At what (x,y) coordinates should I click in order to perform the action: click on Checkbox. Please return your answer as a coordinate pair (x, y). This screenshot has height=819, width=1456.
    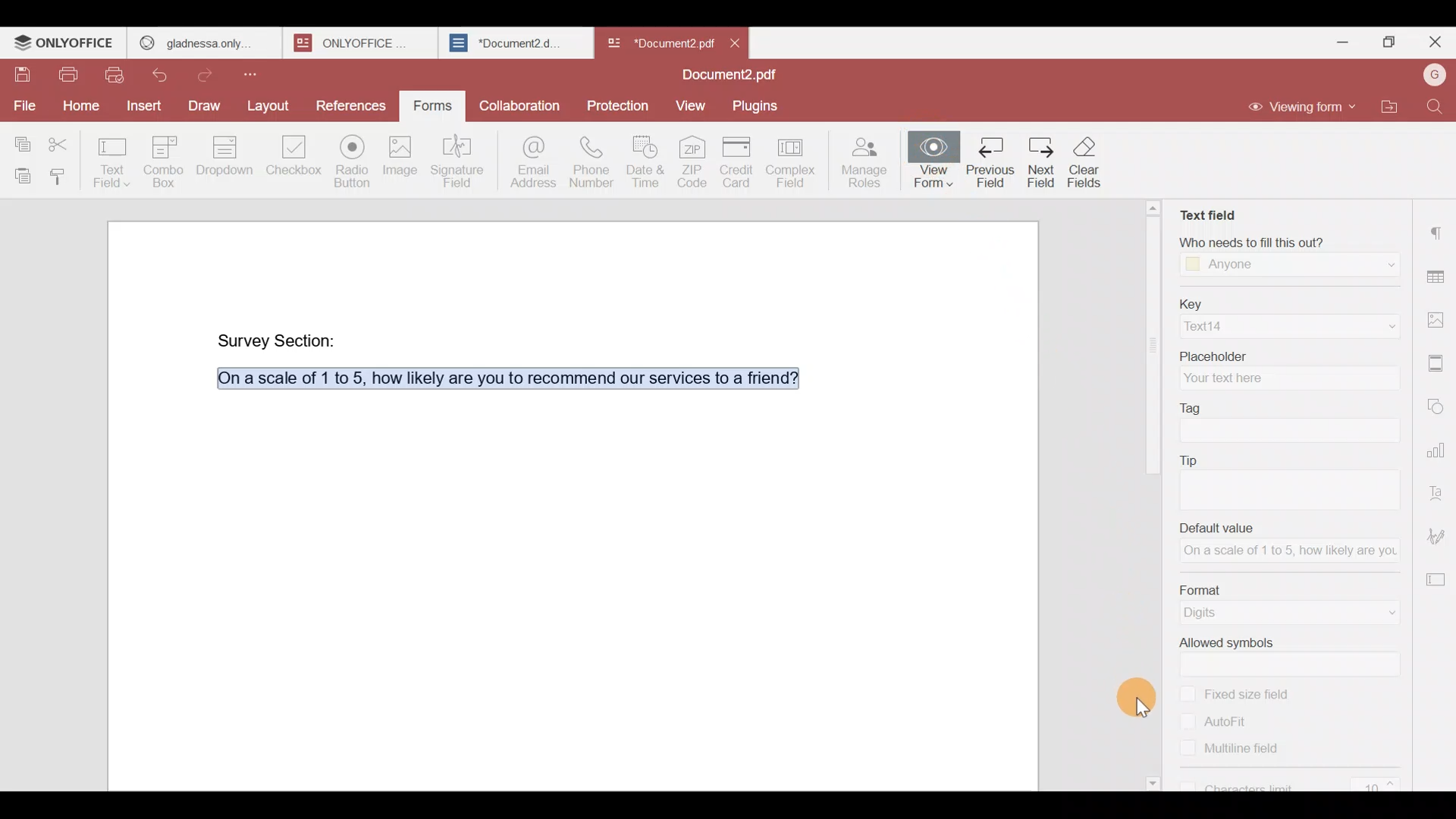
    Looking at the image, I should click on (290, 159).